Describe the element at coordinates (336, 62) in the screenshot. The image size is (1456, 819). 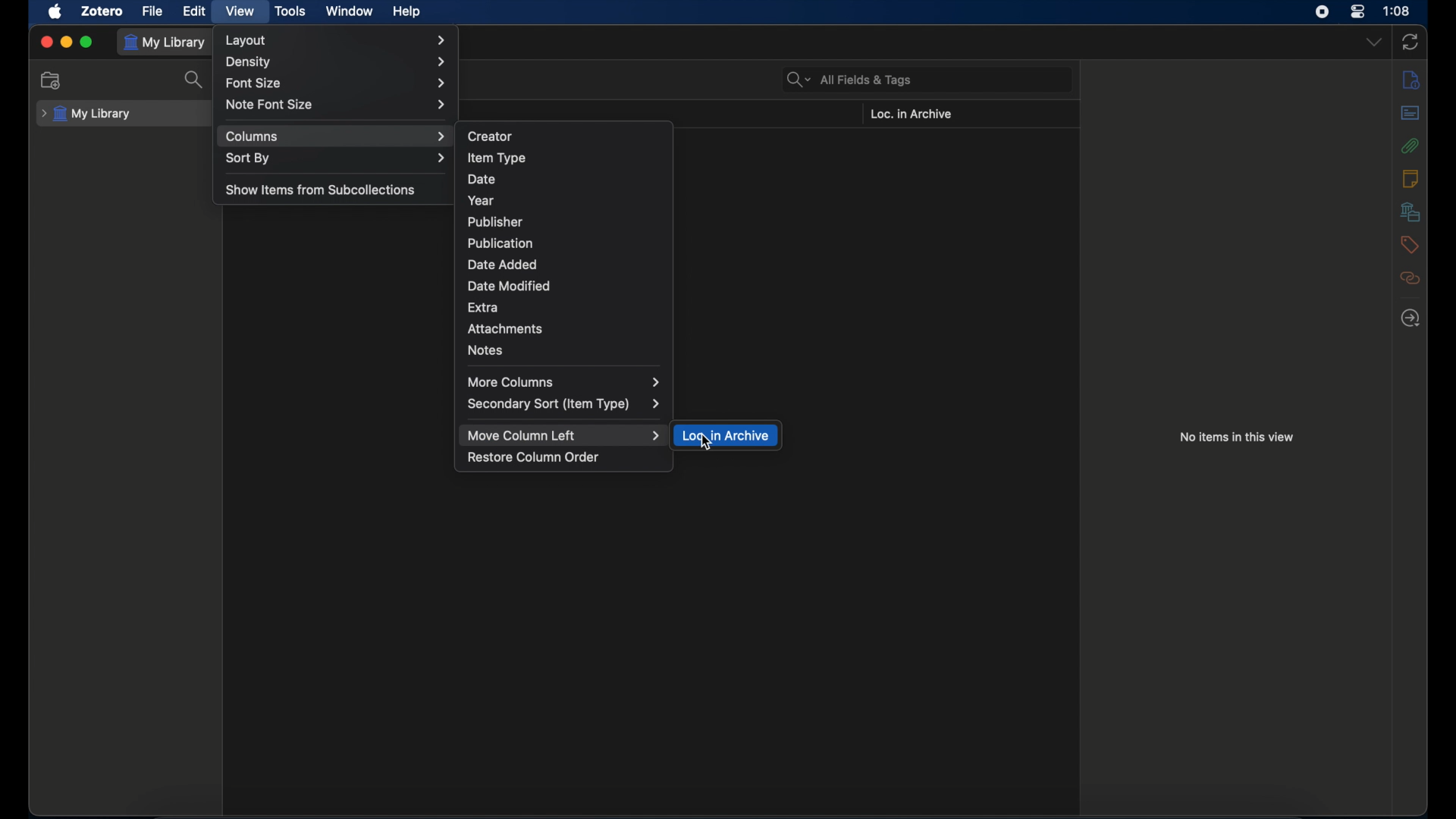
I see `density` at that location.